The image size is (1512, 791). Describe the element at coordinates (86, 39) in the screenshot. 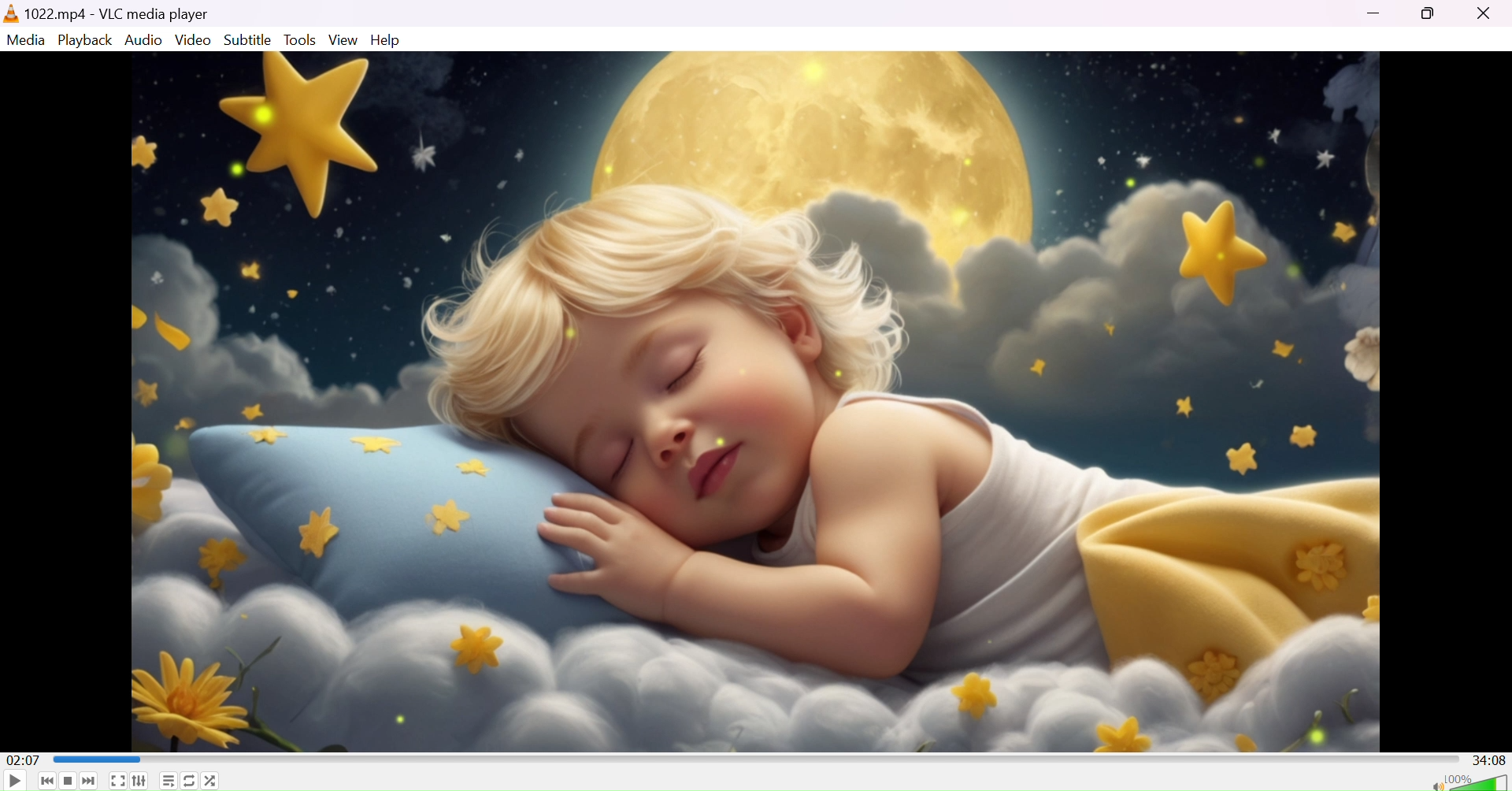

I see `Palyback` at that location.